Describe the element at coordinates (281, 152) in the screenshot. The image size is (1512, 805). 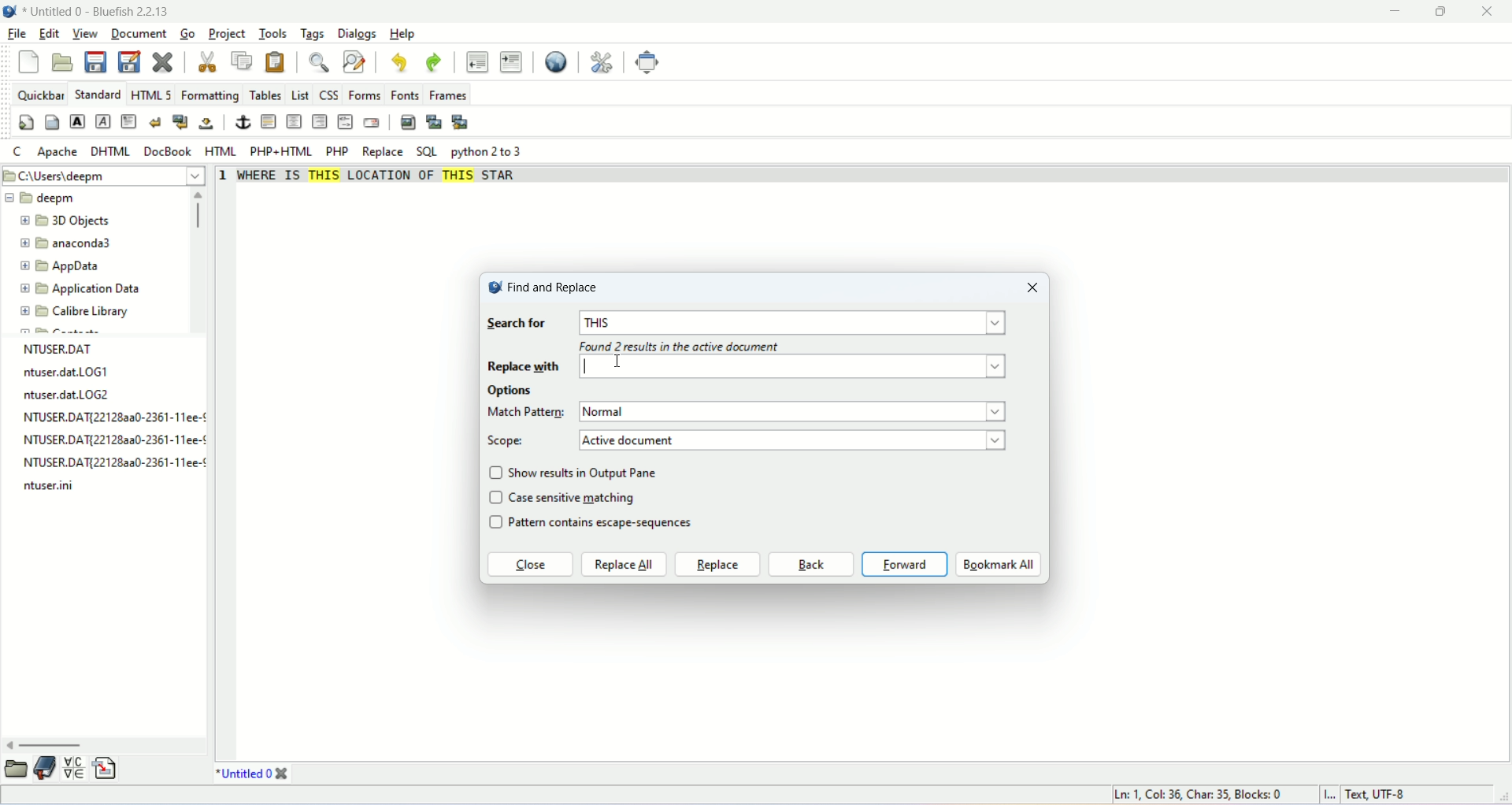
I see `PHP+HTML` at that location.